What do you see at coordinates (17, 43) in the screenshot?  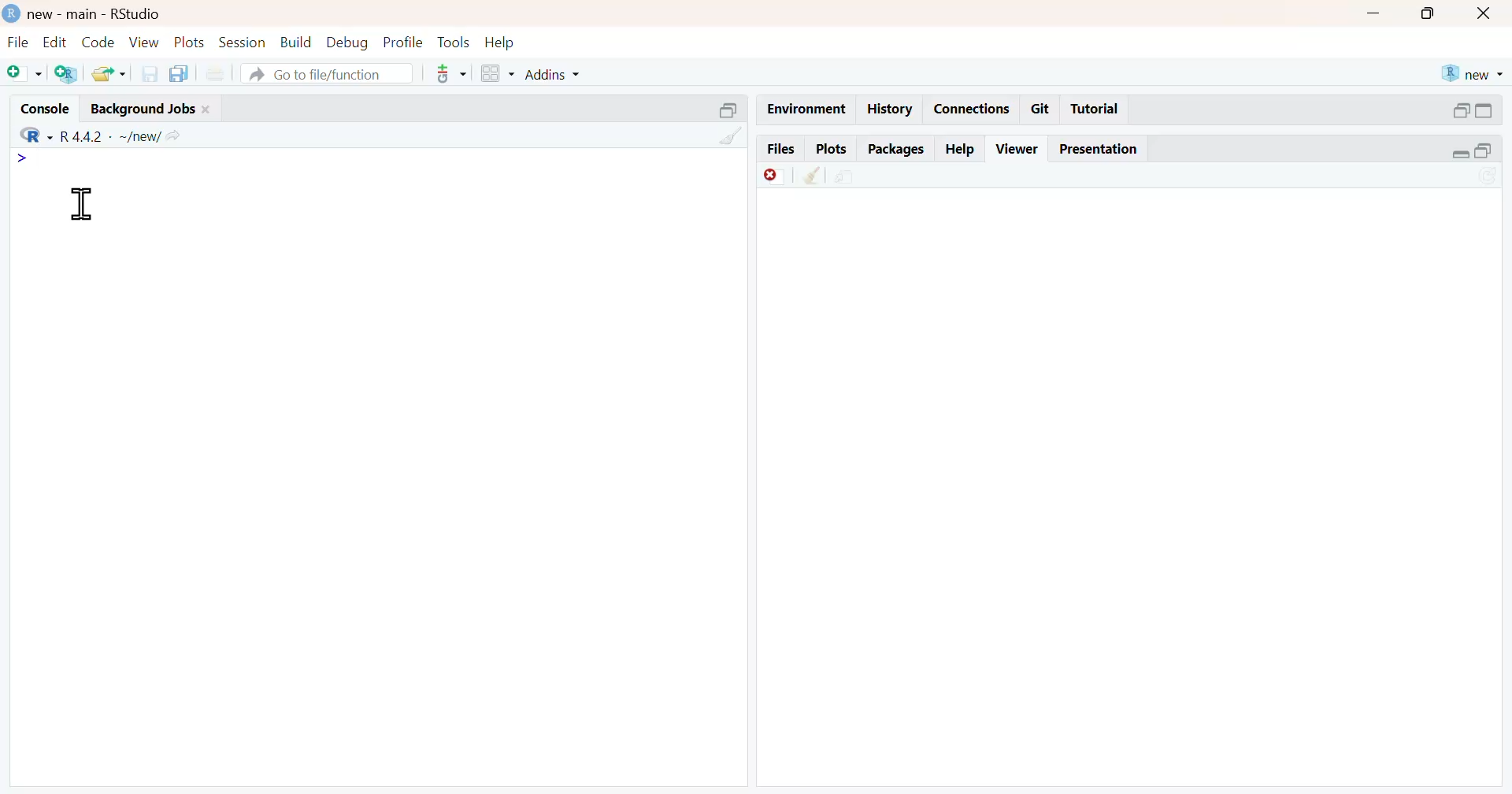 I see `file` at bounding box center [17, 43].